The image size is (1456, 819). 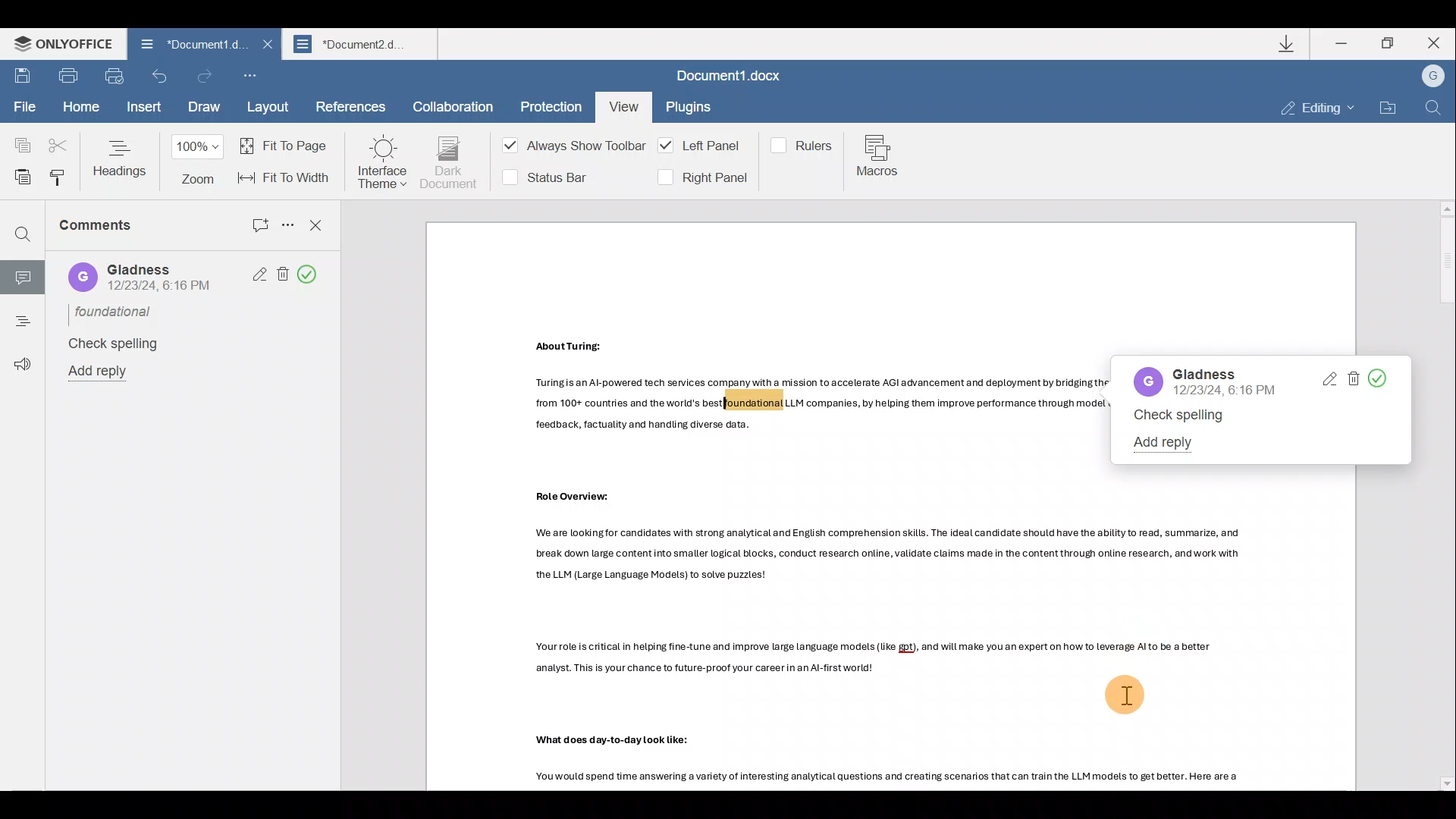 What do you see at coordinates (1168, 441) in the screenshot?
I see `Add reply` at bounding box center [1168, 441].